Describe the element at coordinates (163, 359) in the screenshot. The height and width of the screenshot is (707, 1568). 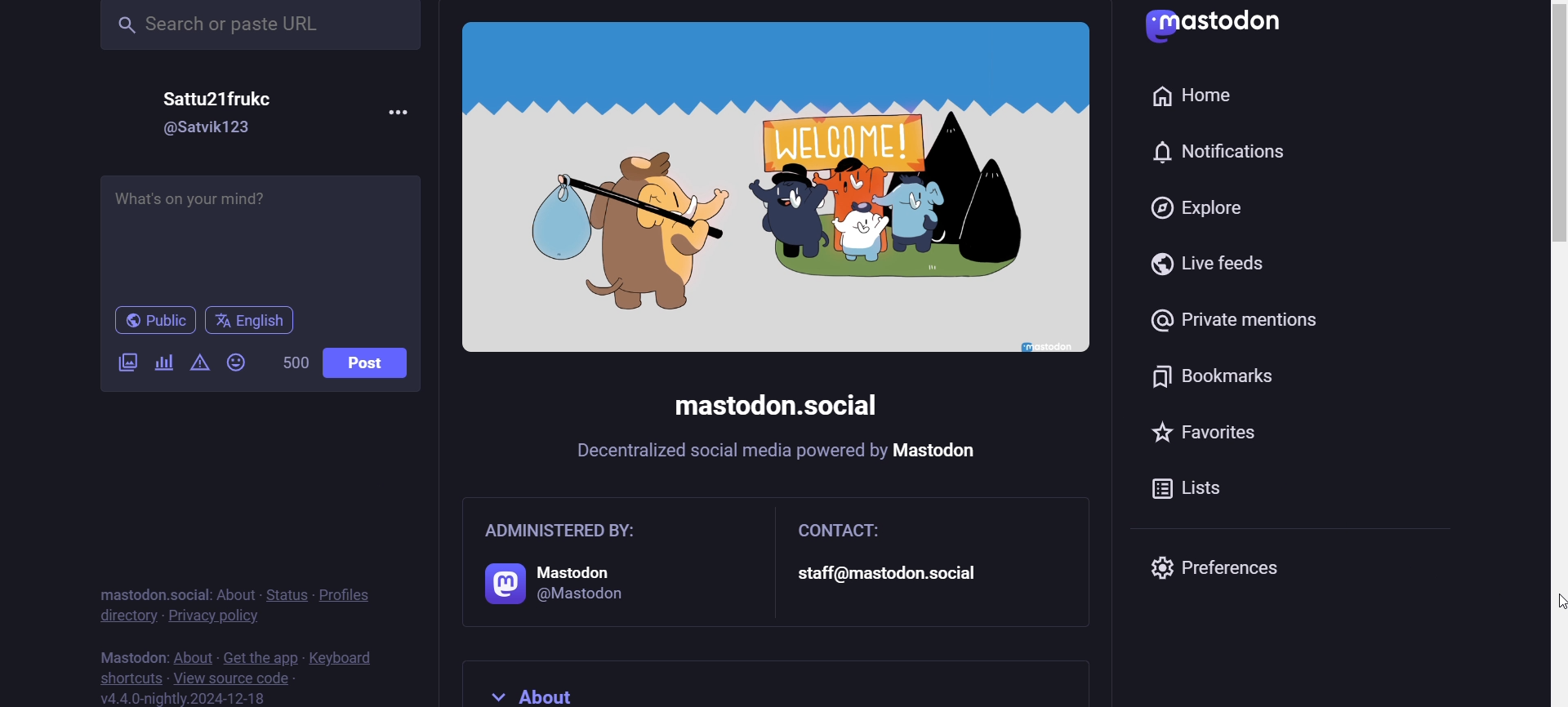
I see `poll` at that location.